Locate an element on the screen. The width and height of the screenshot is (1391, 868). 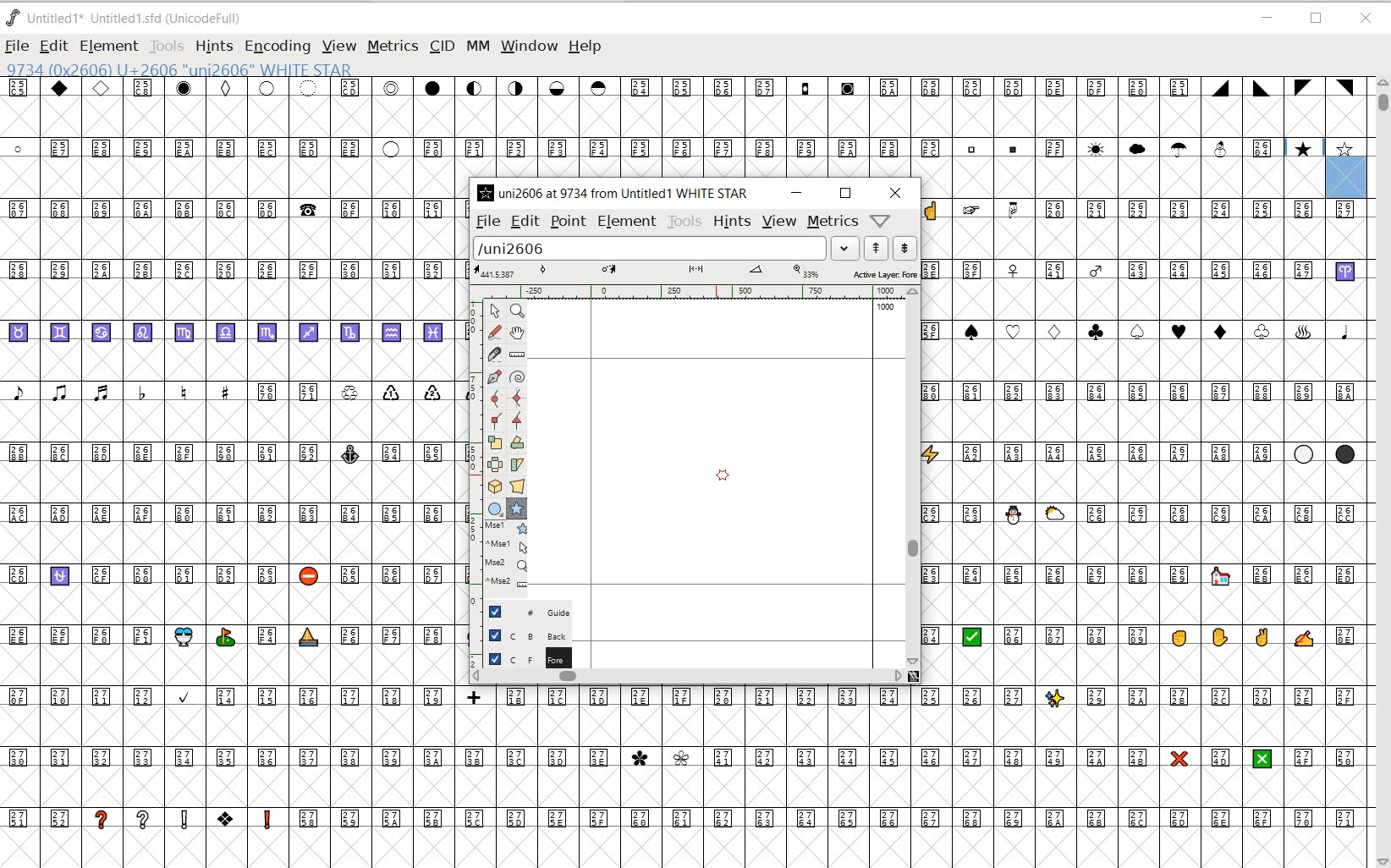
GLYPHY CHARACTERS & NUMBERS is located at coordinates (1144, 350).